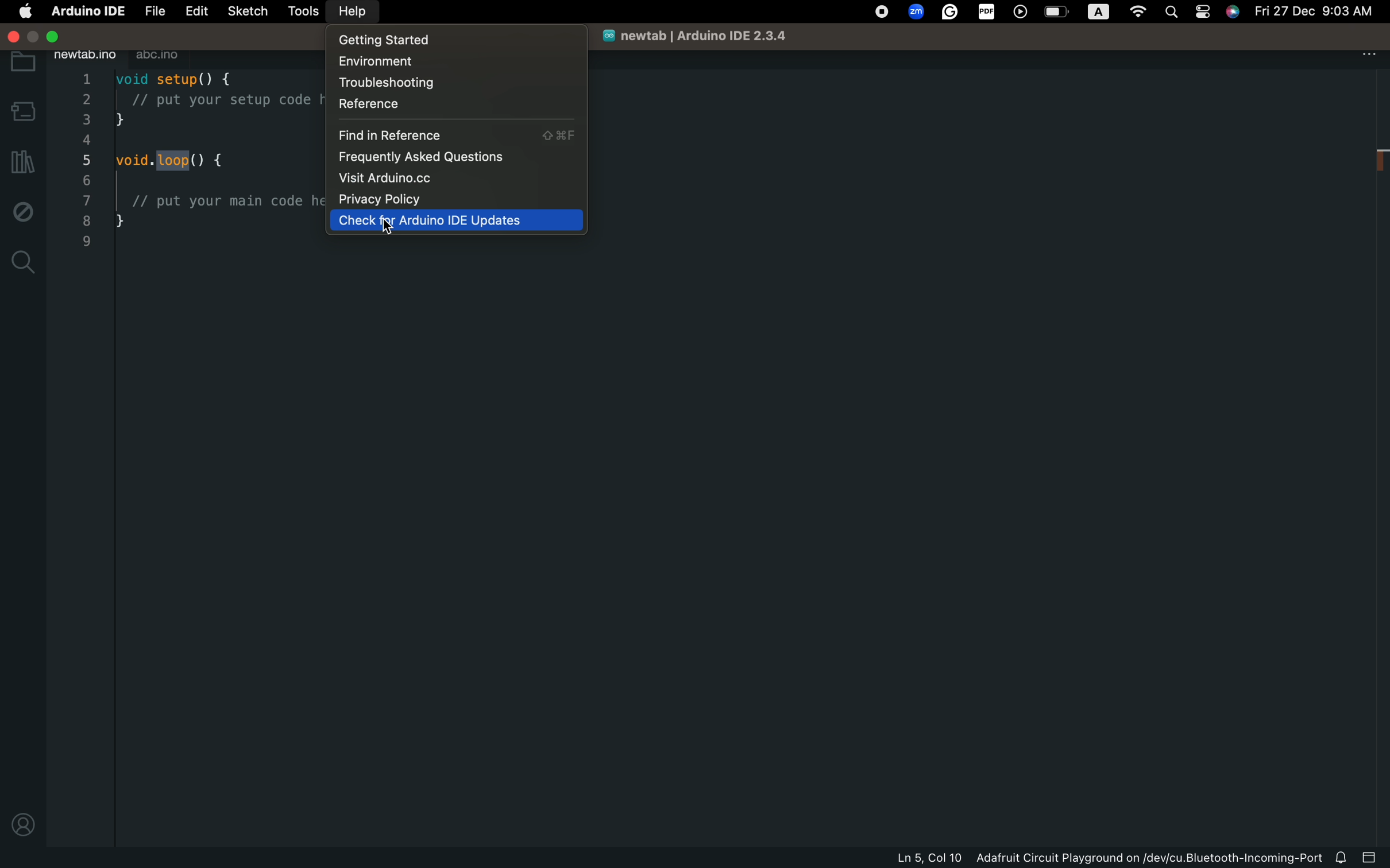 Image resolution: width=1390 pixels, height=868 pixels. I want to click on Battery, so click(1059, 10).